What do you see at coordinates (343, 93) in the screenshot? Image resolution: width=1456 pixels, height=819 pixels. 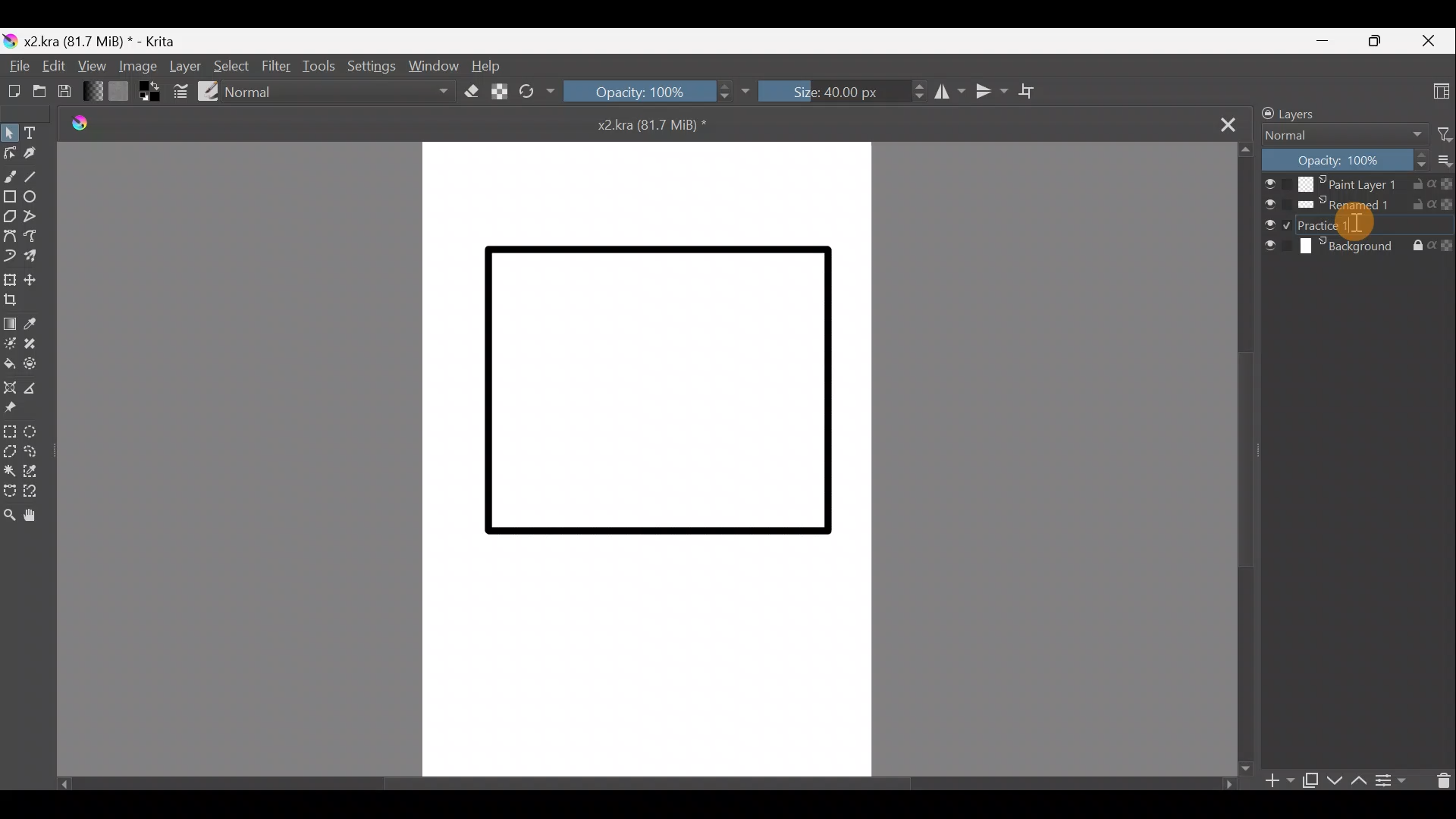 I see `Normal Blending mode` at bounding box center [343, 93].